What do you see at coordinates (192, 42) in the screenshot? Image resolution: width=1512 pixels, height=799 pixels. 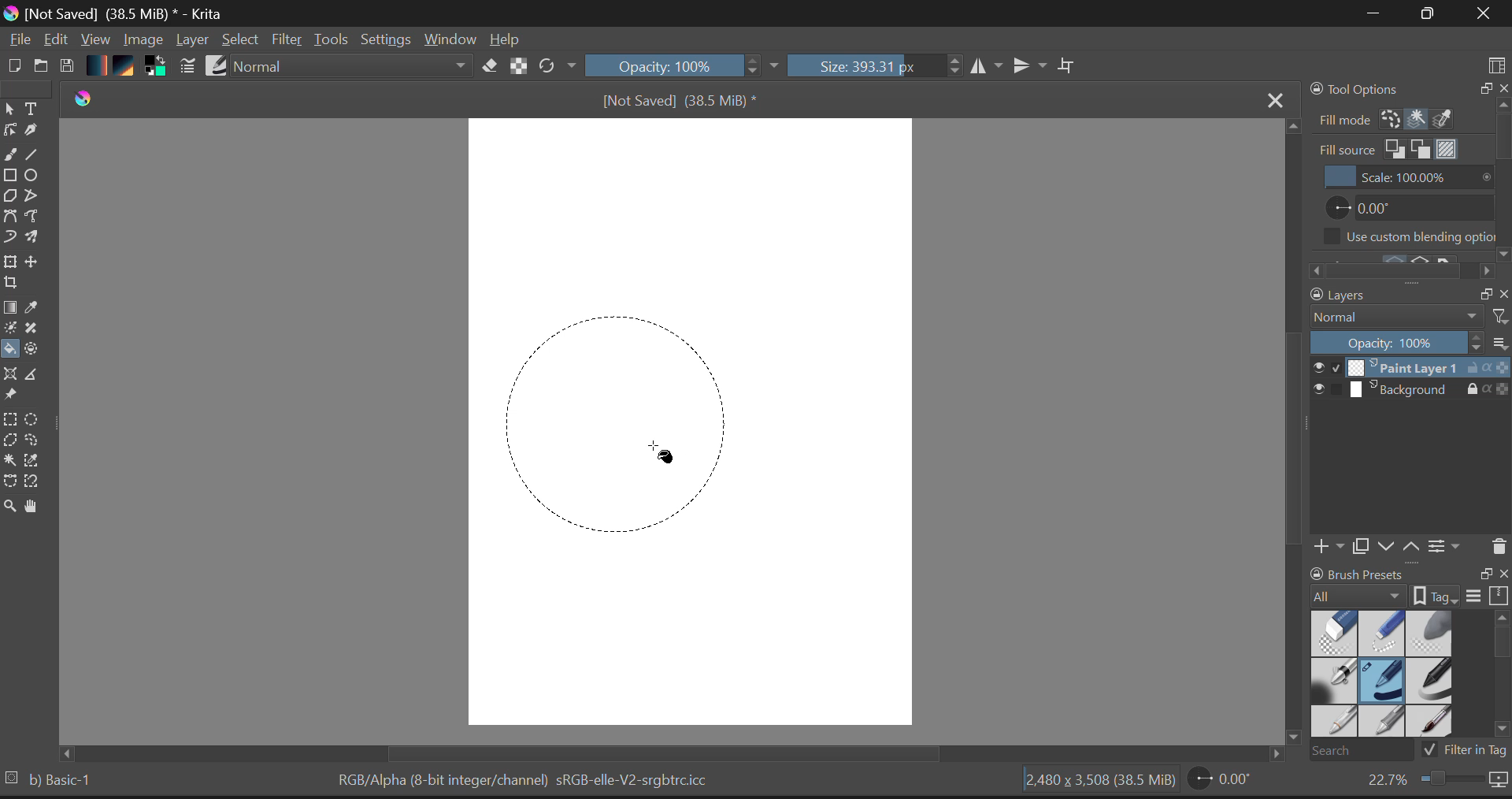 I see `Layer` at bounding box center [192, 42].